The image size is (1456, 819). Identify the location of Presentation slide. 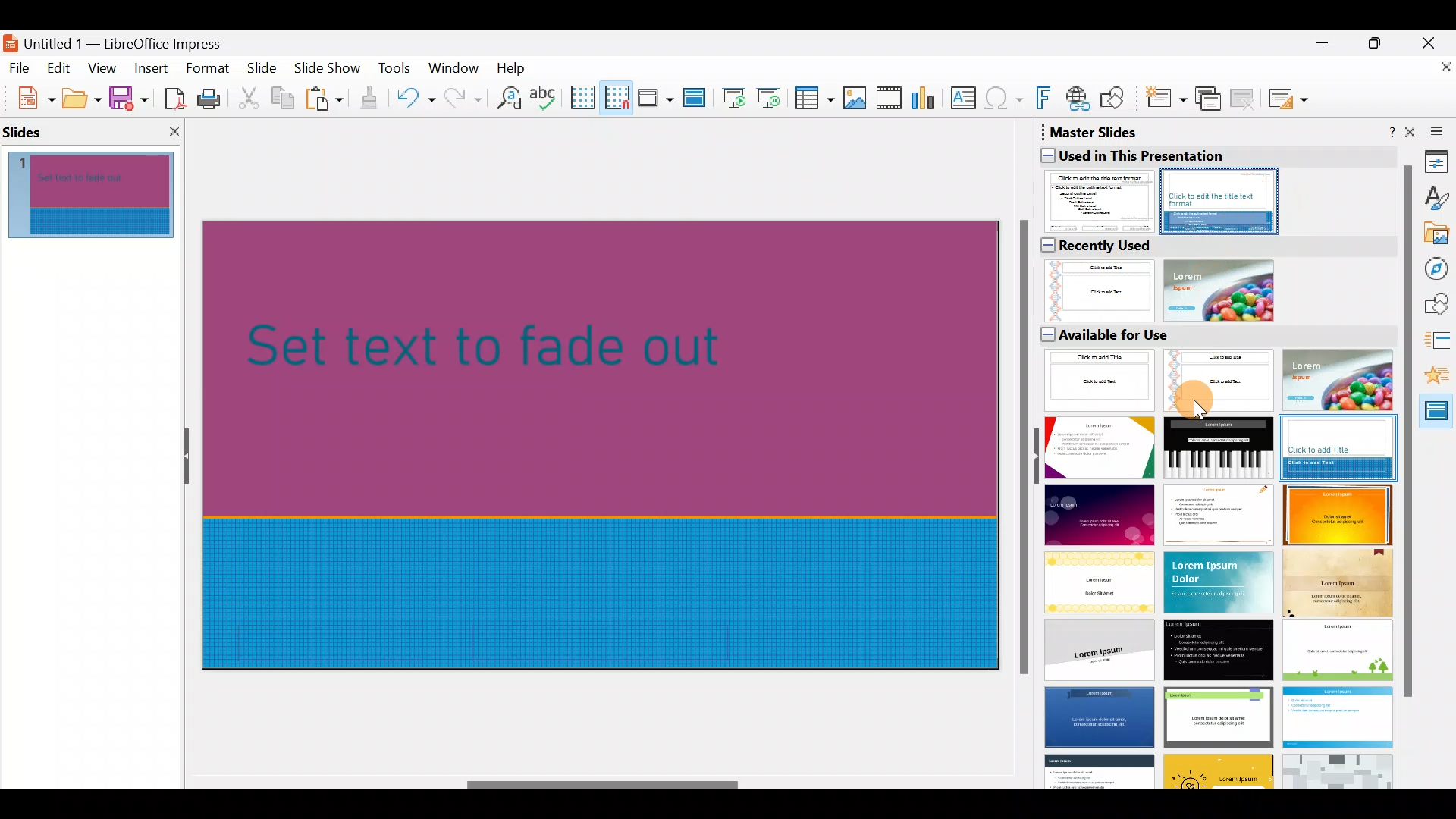
(608, 443).